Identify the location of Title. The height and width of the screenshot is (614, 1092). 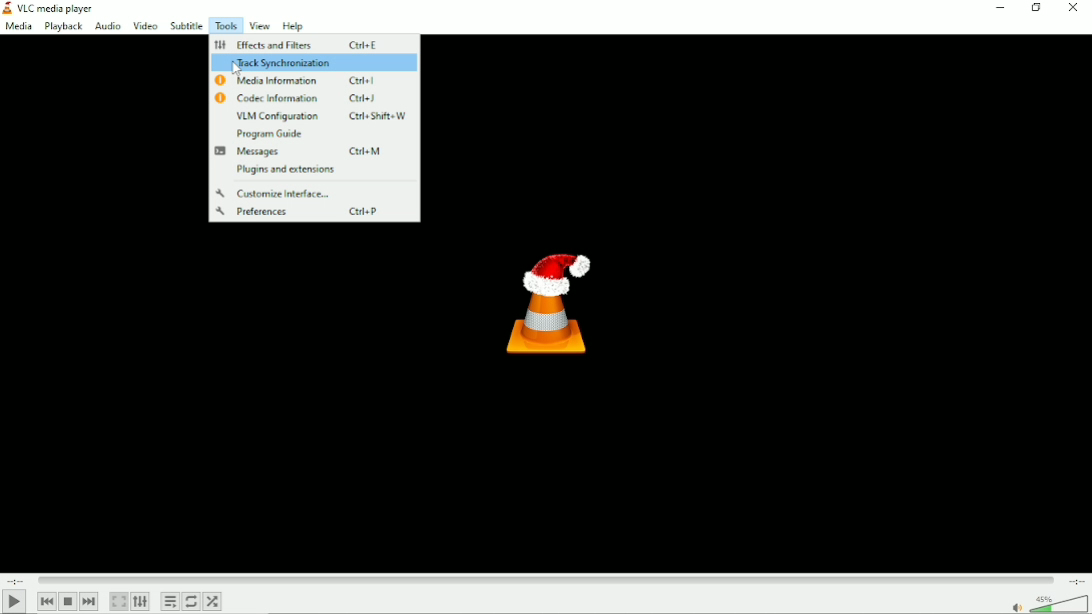
(53, 9).